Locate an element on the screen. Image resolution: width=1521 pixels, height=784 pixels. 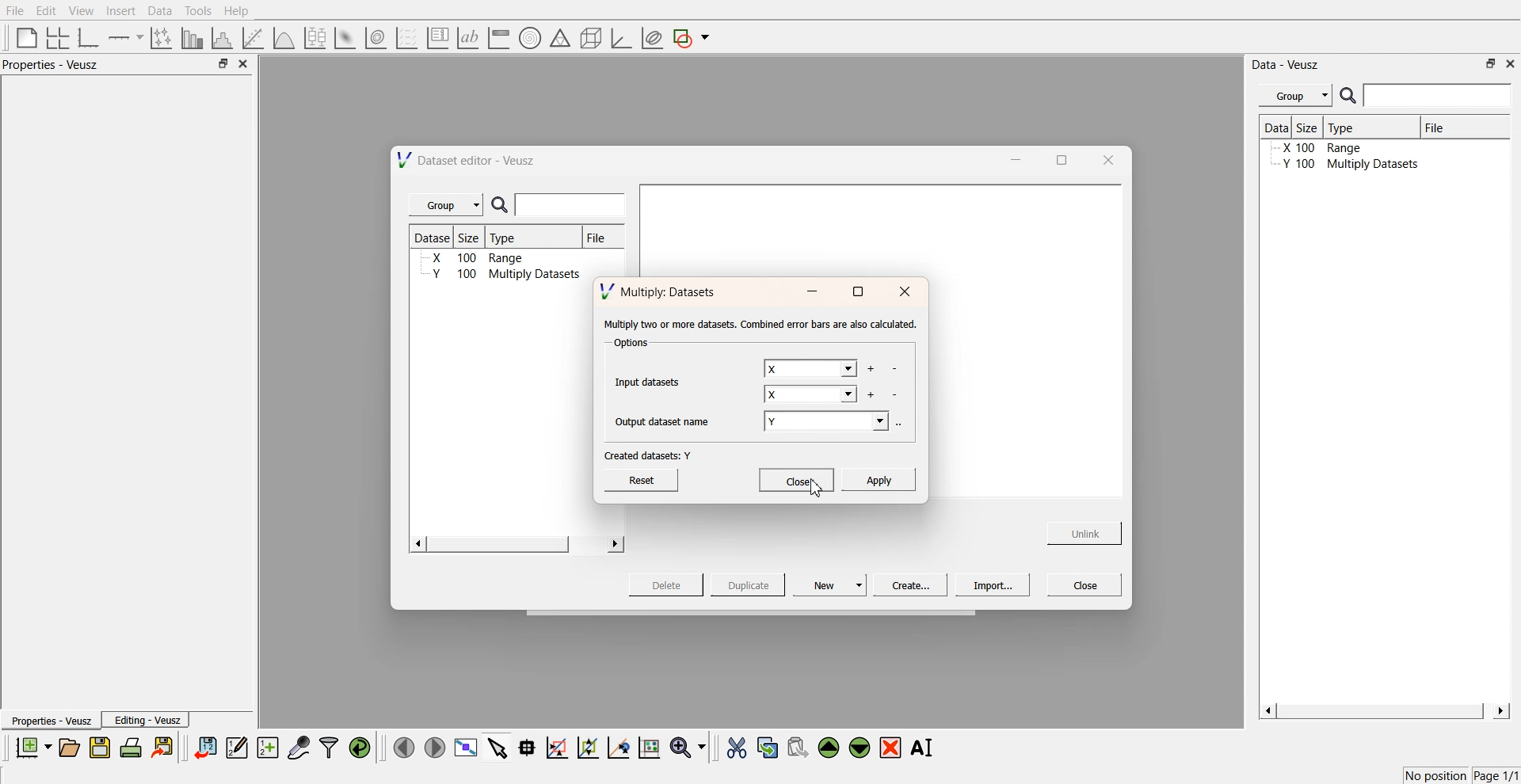
Import... is located at coordinates (993, 585).